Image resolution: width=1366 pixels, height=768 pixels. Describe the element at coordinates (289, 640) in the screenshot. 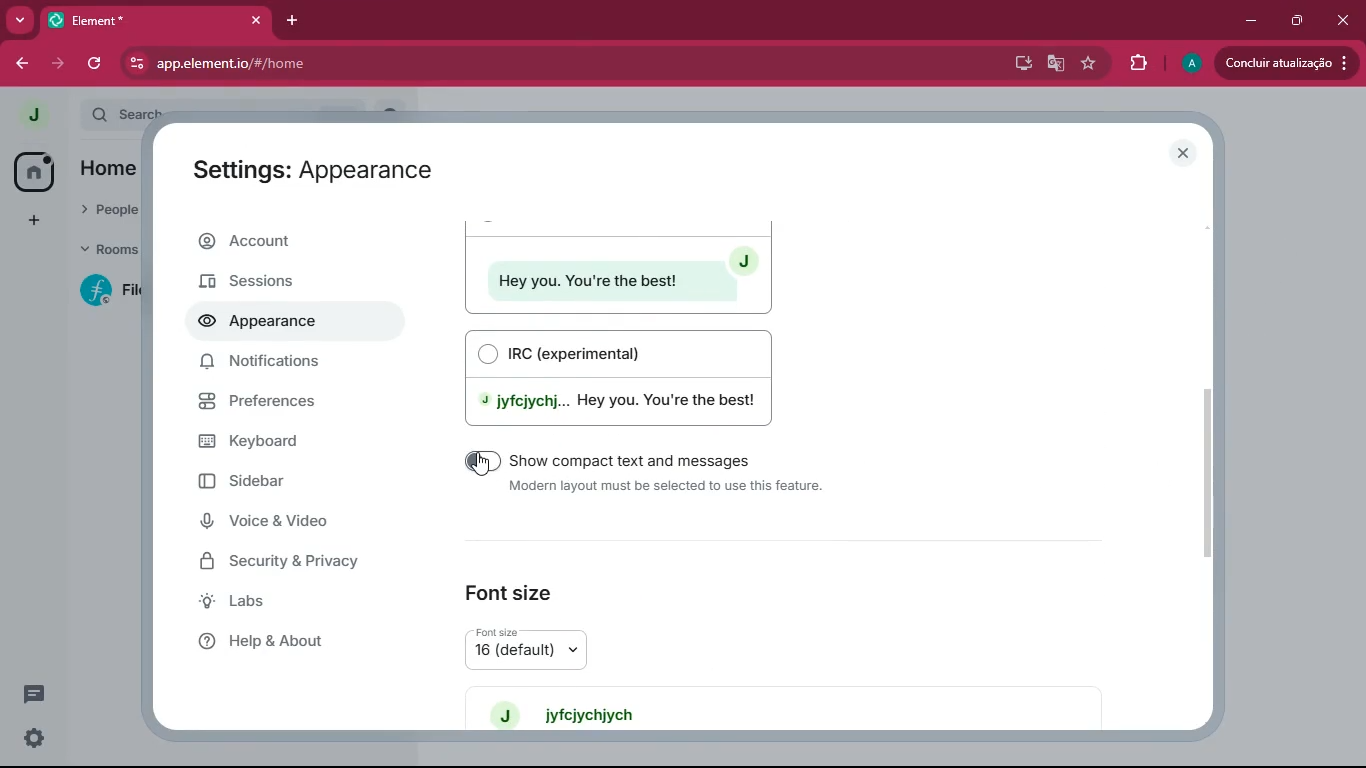

I see `help` at that location.